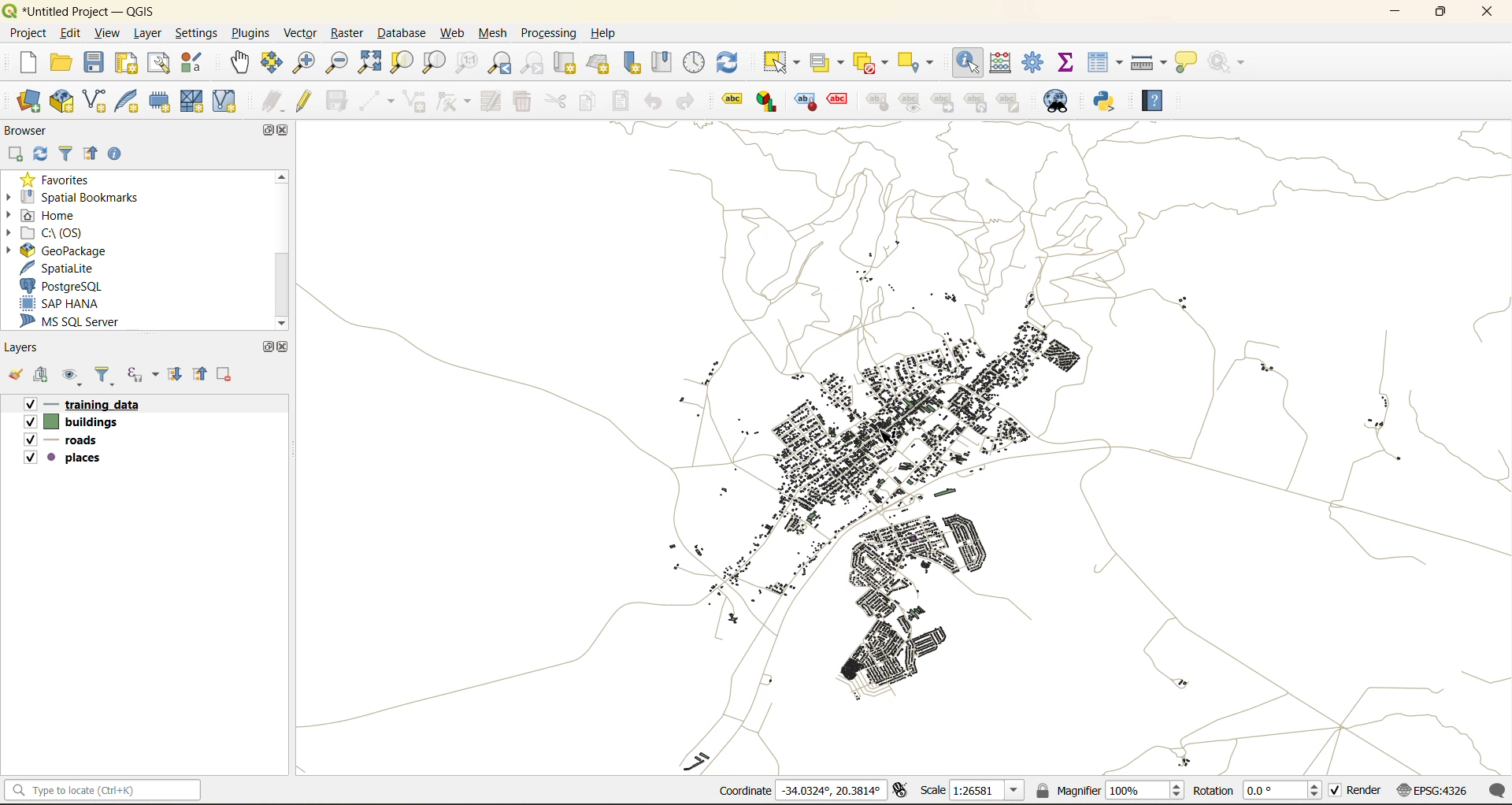 The image size is (1512, 805). Describe the element at coordinates (1187, 63) in the screenshot. I see `show tips` at that location.